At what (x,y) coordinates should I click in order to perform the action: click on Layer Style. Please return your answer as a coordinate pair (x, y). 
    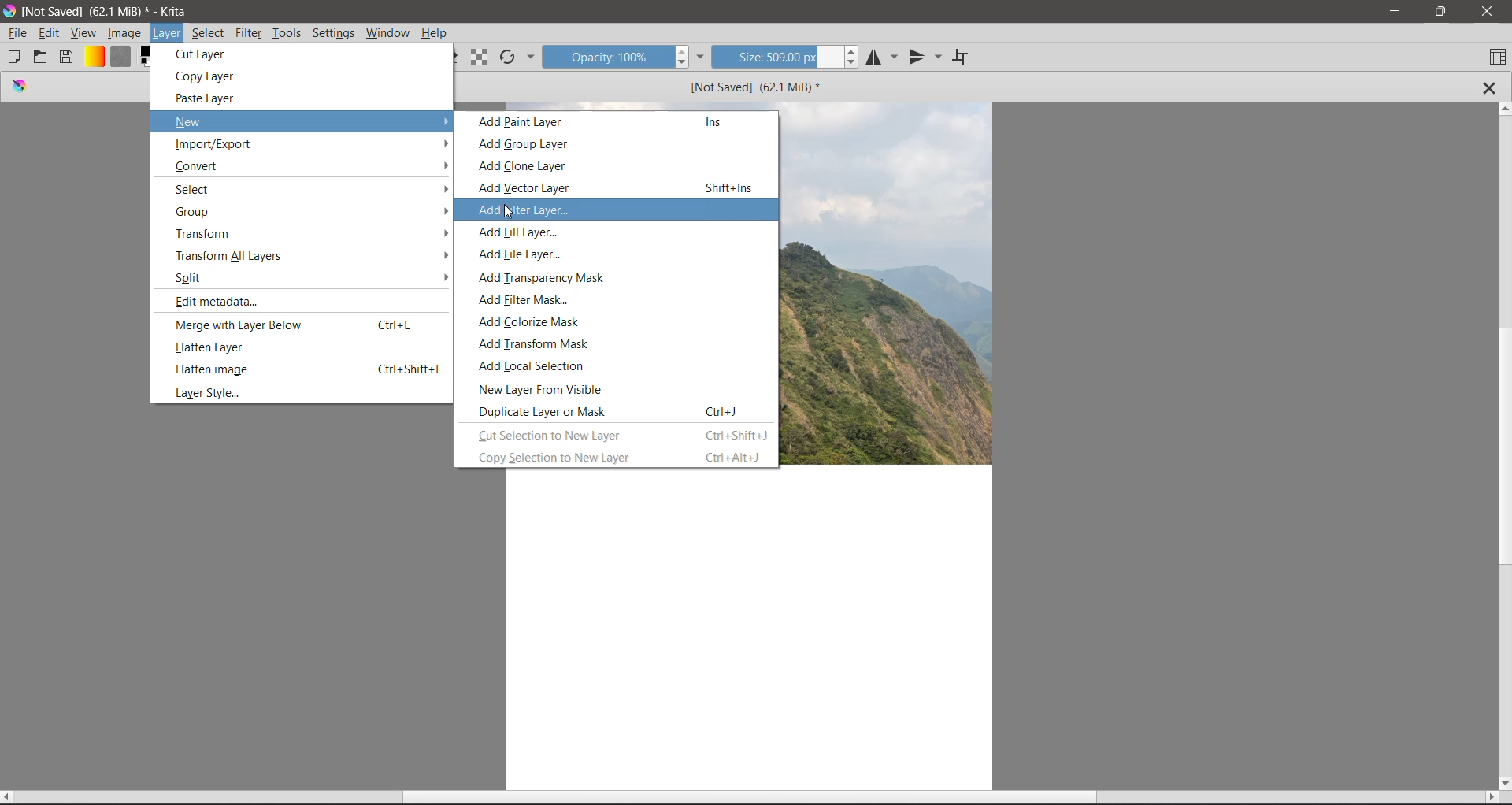
    Looking at the image, I should click on (206, 393).